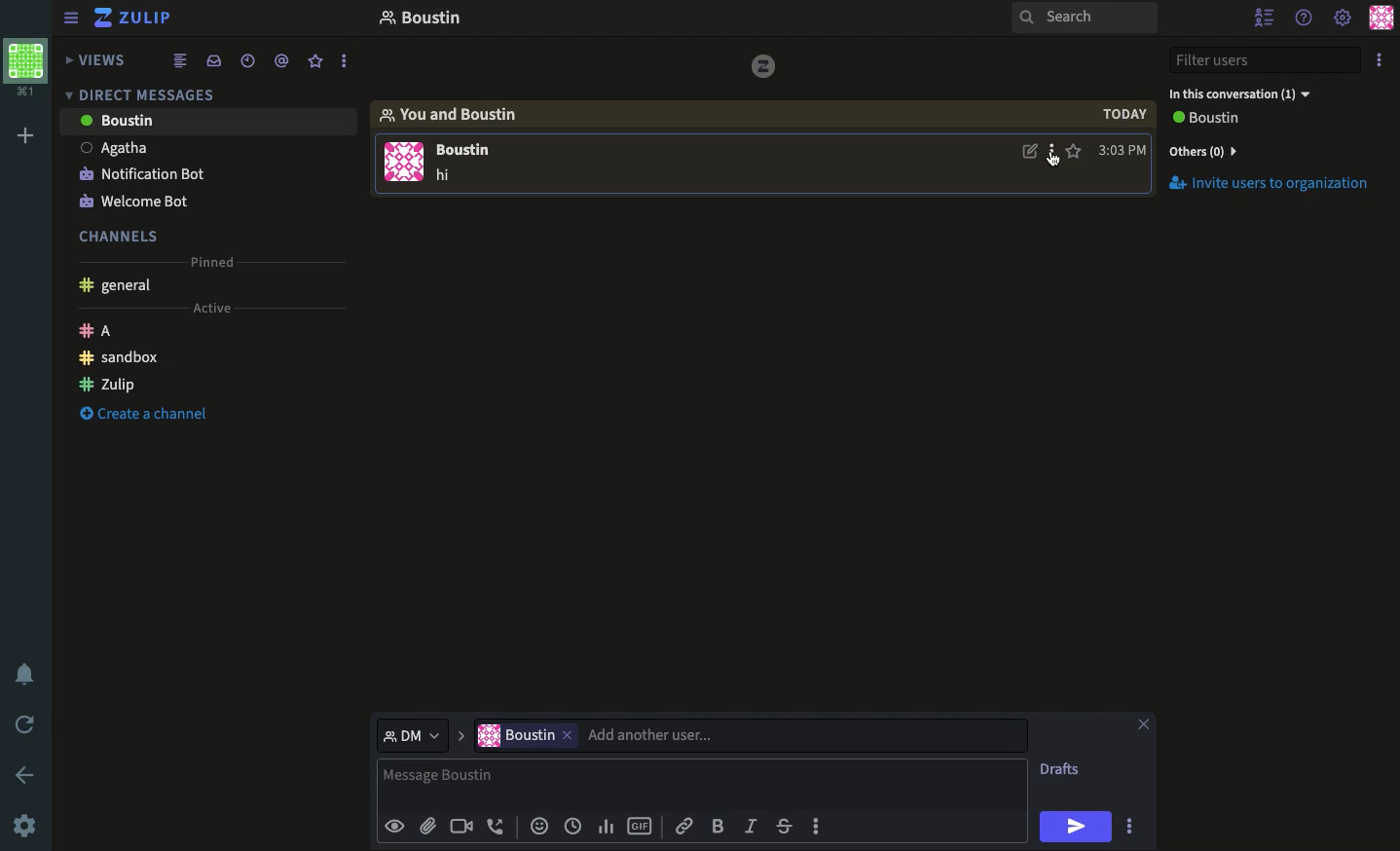 The width and height of the screenshot is (1400, 851). I want to click on Notification bot, so click(142, 172).